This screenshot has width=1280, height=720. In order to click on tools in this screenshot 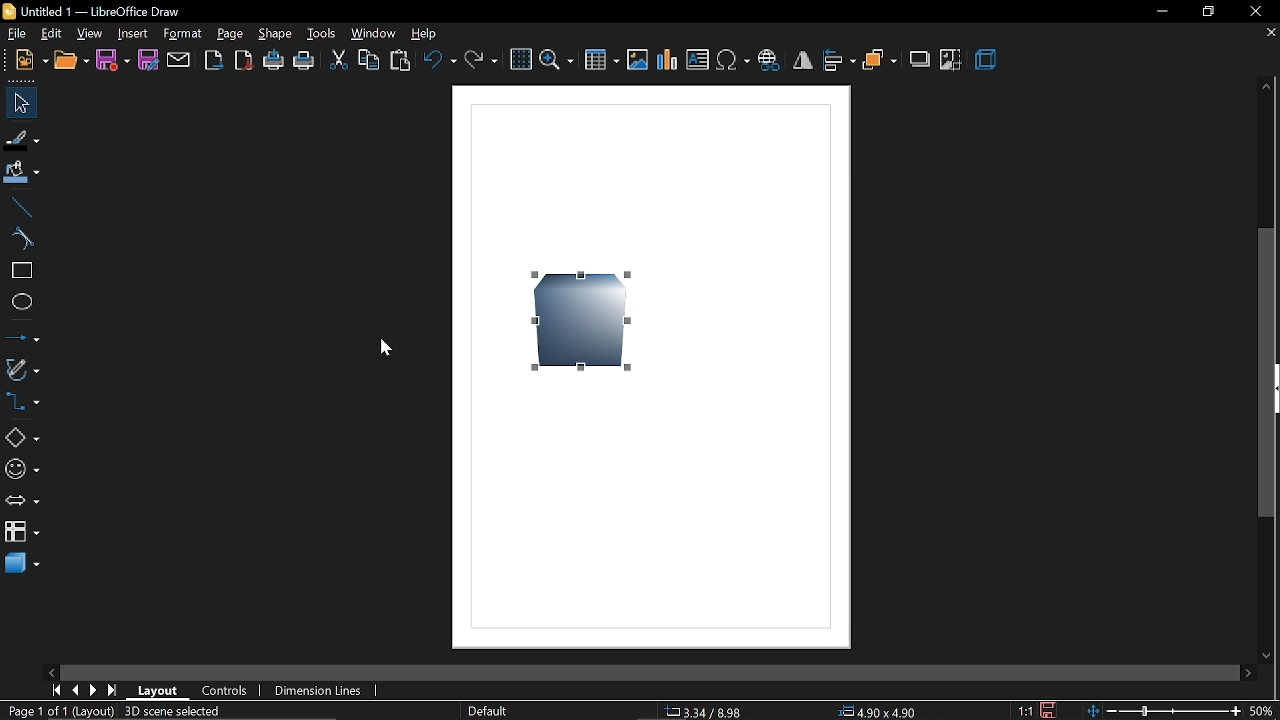, I will do `click(324, 34)`.